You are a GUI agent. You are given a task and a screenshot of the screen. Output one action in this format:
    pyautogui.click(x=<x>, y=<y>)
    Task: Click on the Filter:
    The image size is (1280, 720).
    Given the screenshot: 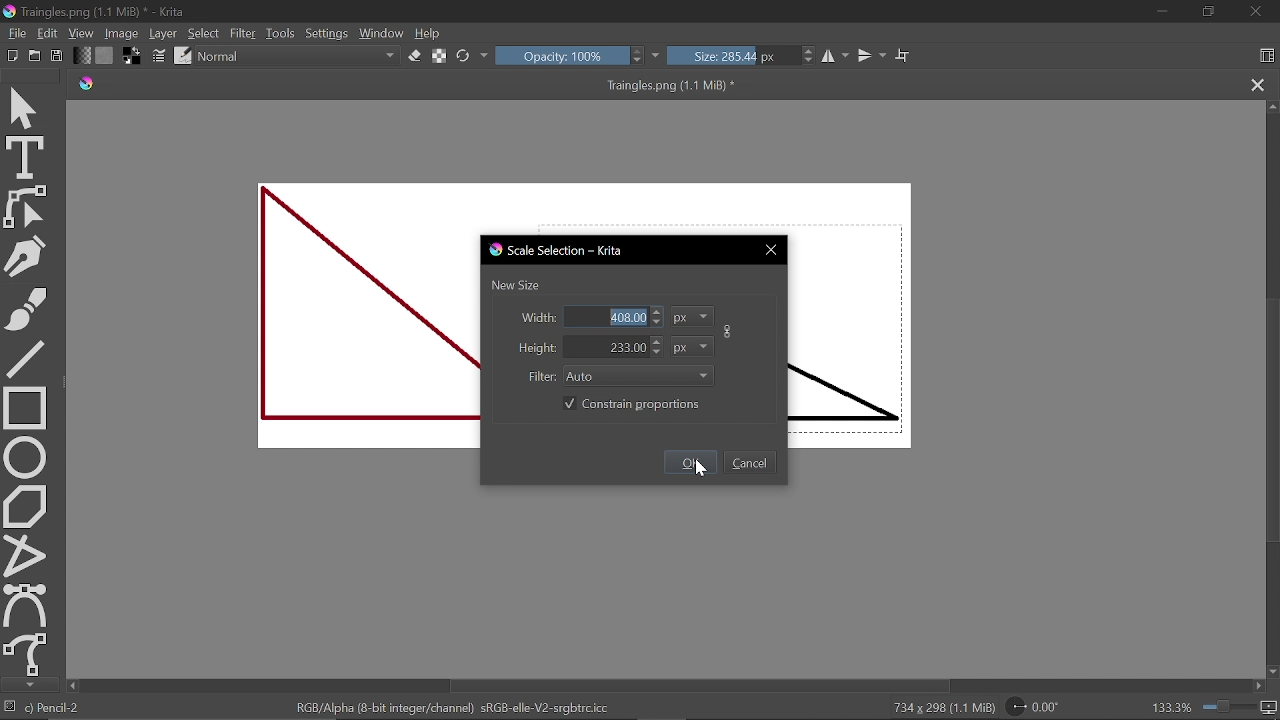 What is the action you would take?
    pyautogui.click(x=540, y=378)
    